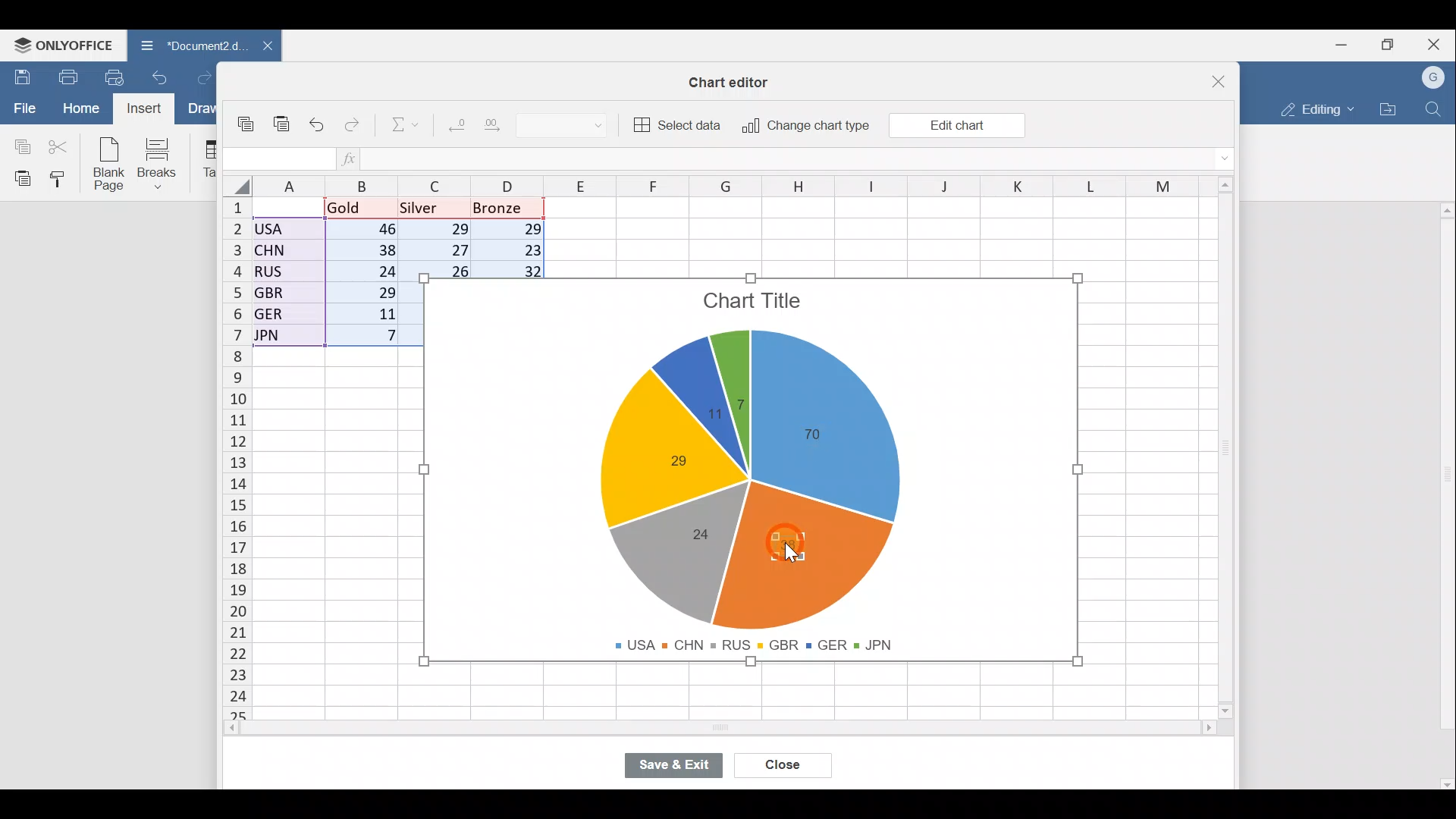 The image size is (1456, 819). Describe the element at coordinates (786, 767) in the screenshot. I see `Close` at that location.